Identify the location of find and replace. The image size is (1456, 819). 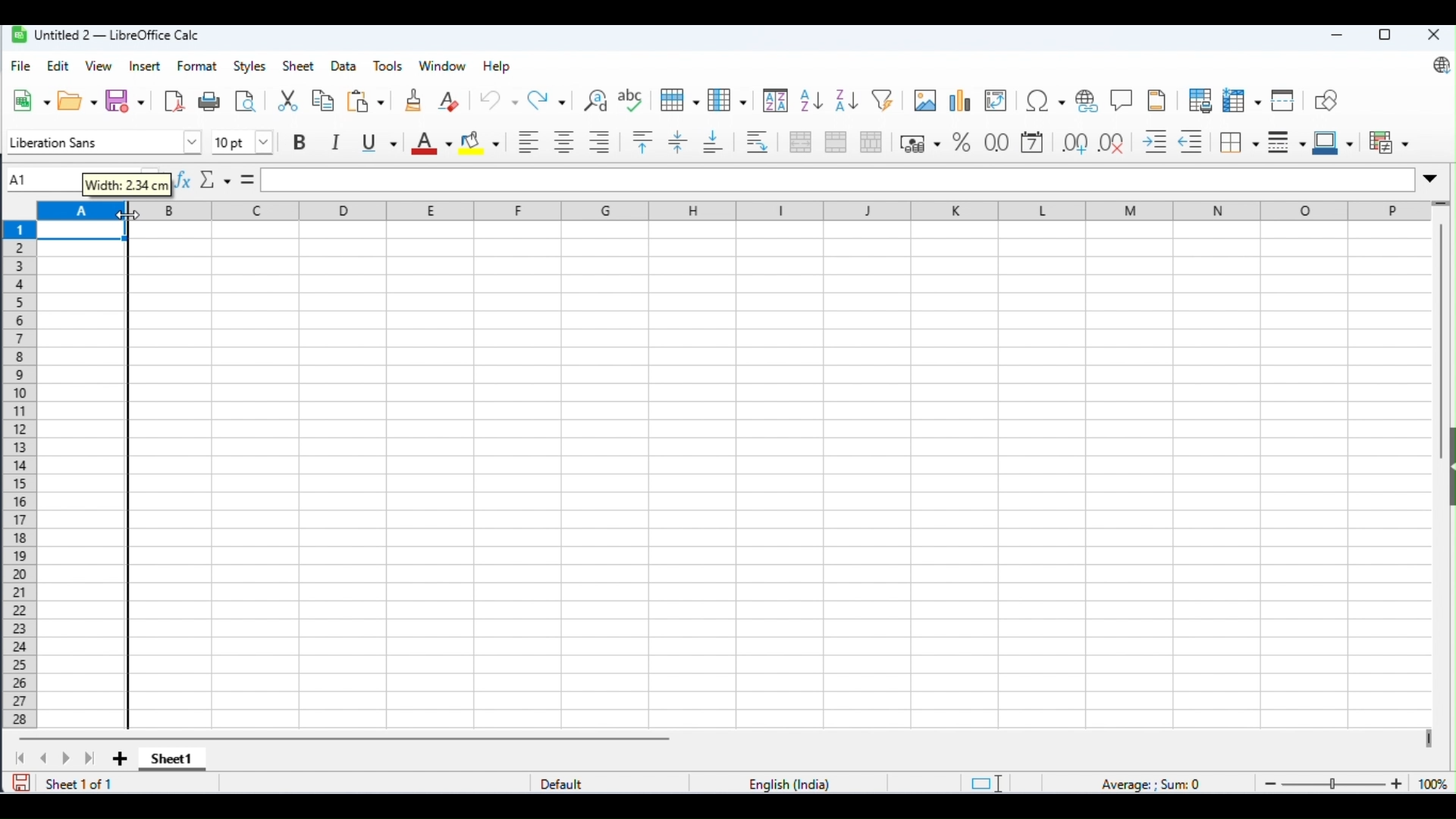
(597, 99).